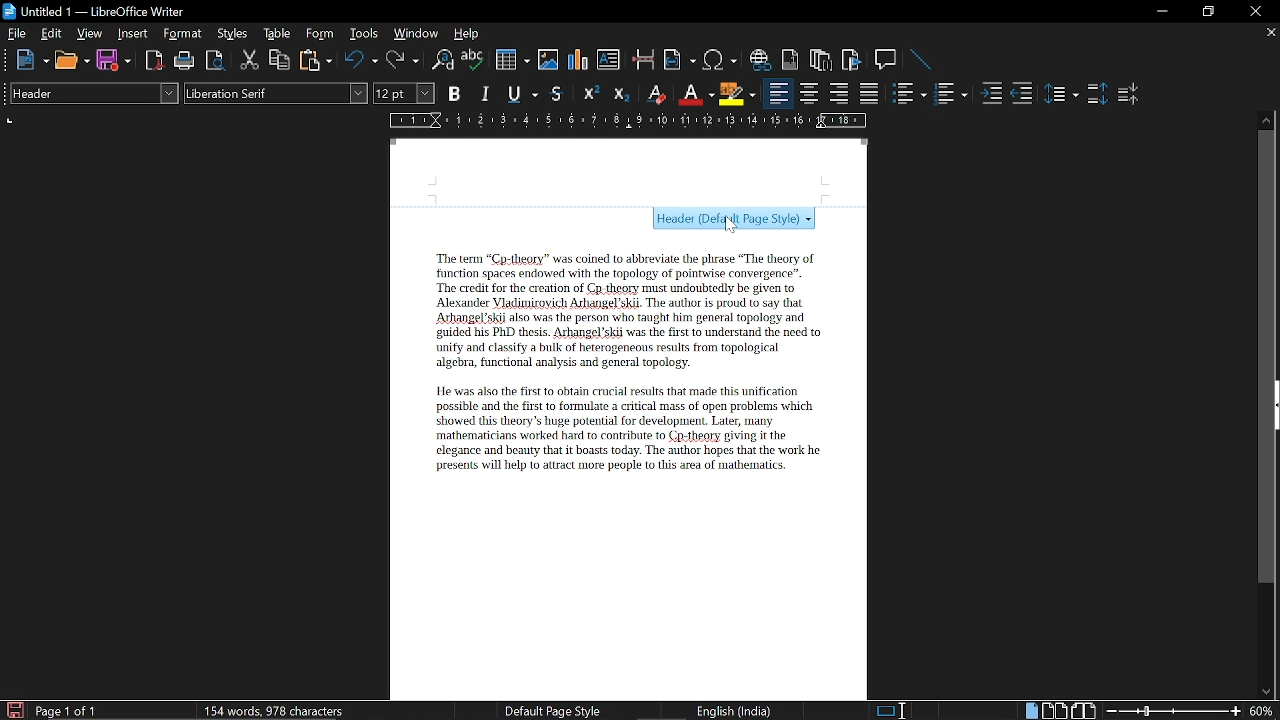 This screenshot has height=720, width=1280. I want to click on Move down, so click(1265, 692).